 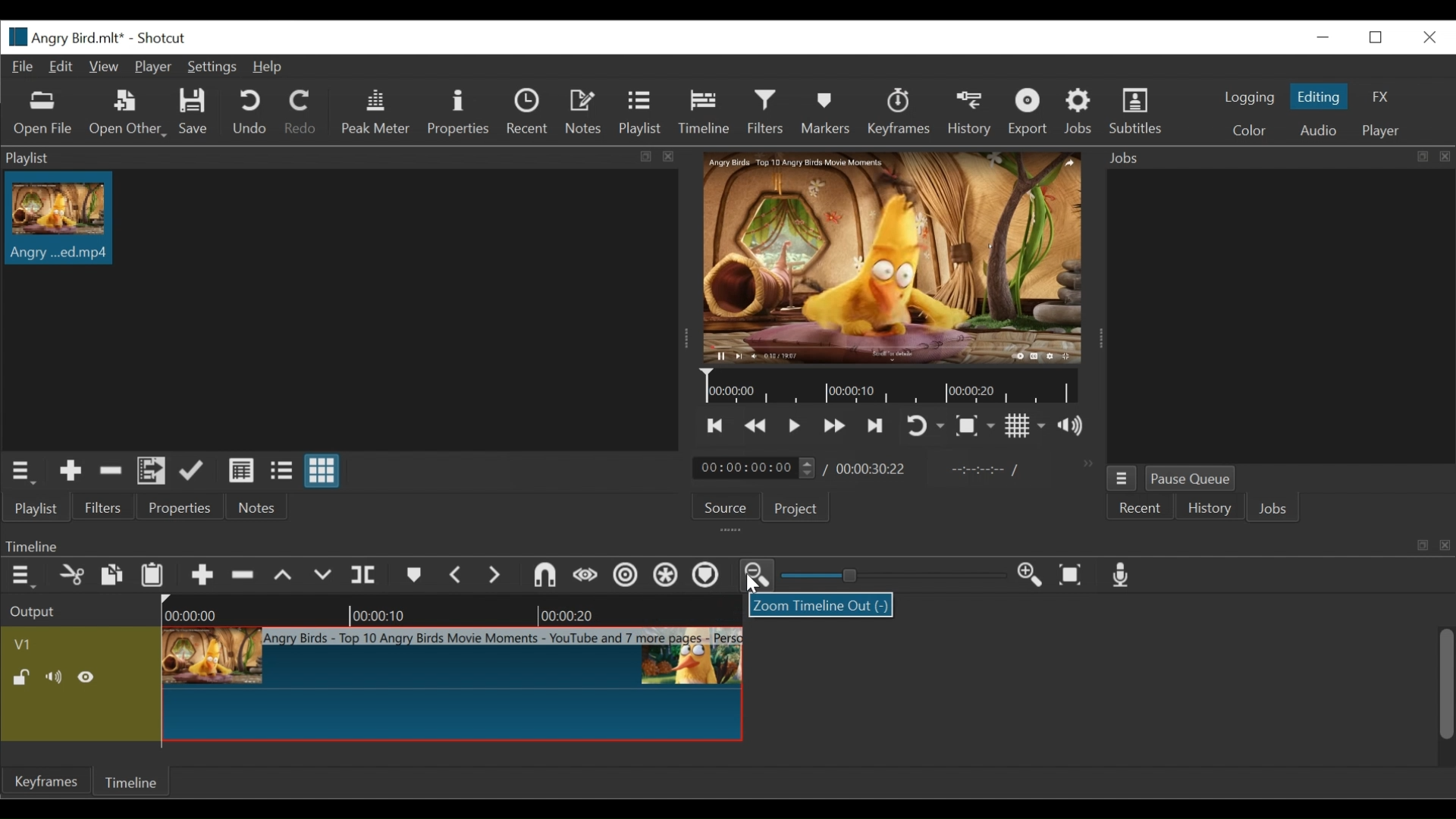 What do you see at coordinates (1028, 428) in the screenshot?
I see `Toggle display grid on player` at bounding box center [1028, 428].